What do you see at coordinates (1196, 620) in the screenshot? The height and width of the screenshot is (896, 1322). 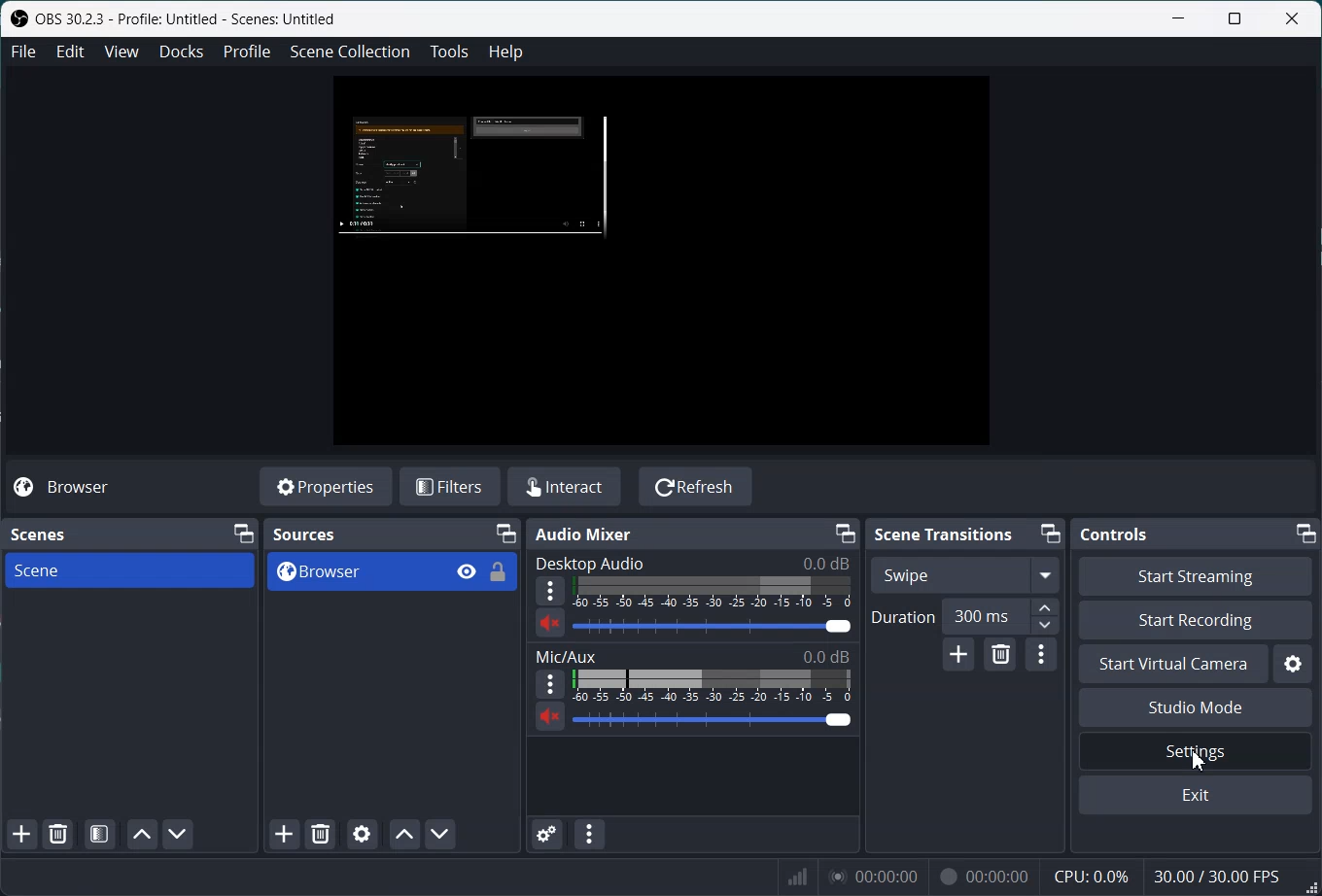 I see `Start Recording` at bounding box center [1196, 620].